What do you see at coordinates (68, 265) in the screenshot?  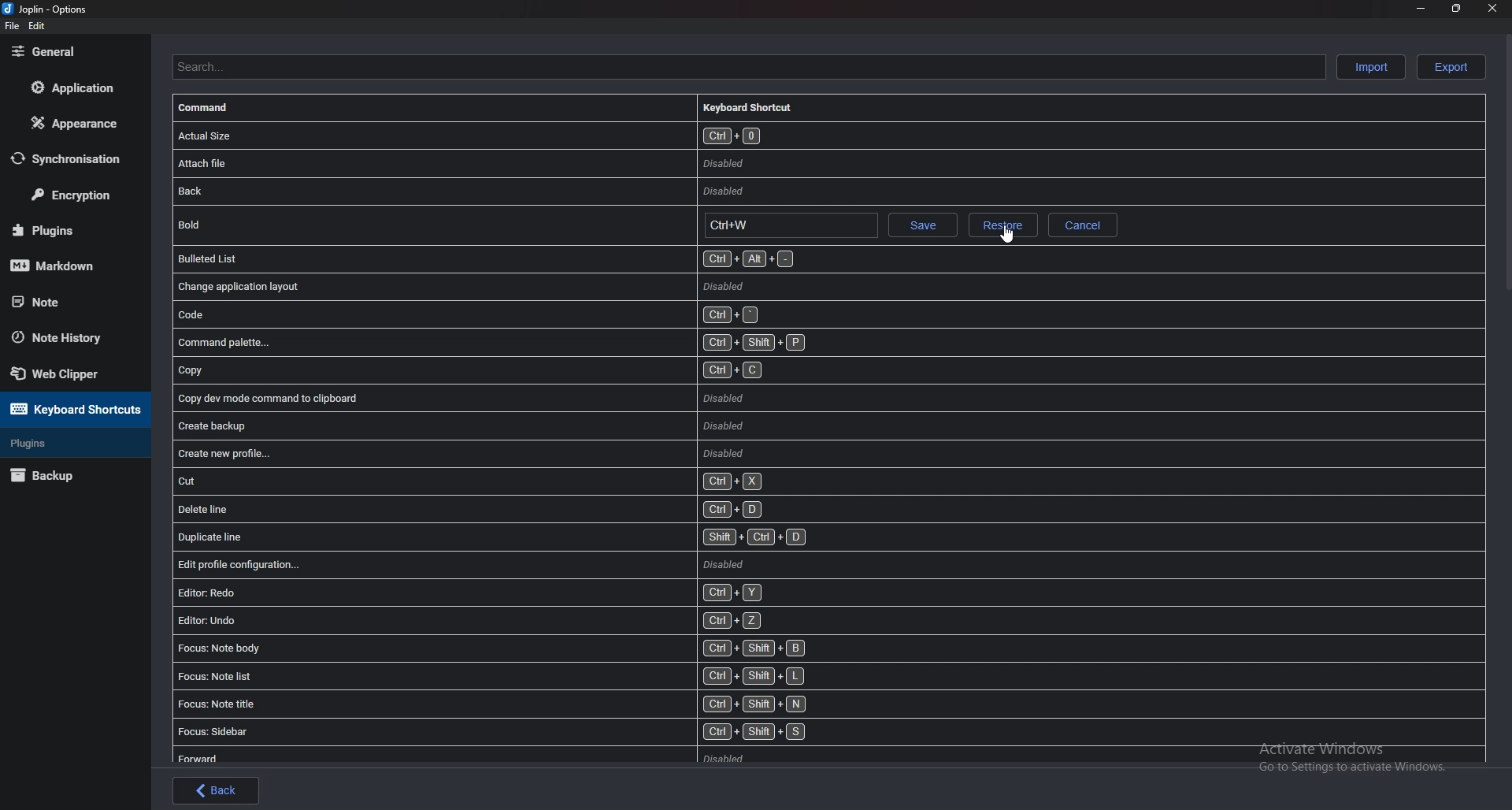 I see `Mark down` at bounding box center [68, 265].